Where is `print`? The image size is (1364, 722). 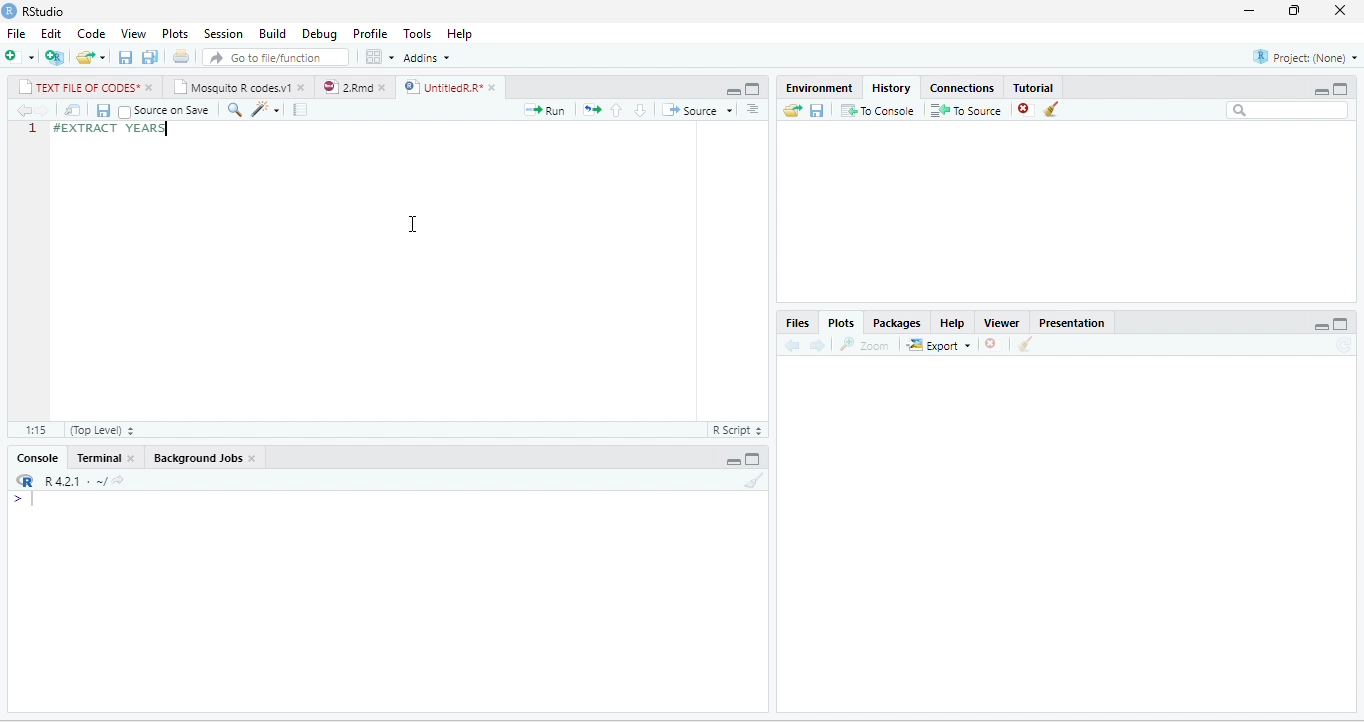 print is located at coordinates (180, 56).